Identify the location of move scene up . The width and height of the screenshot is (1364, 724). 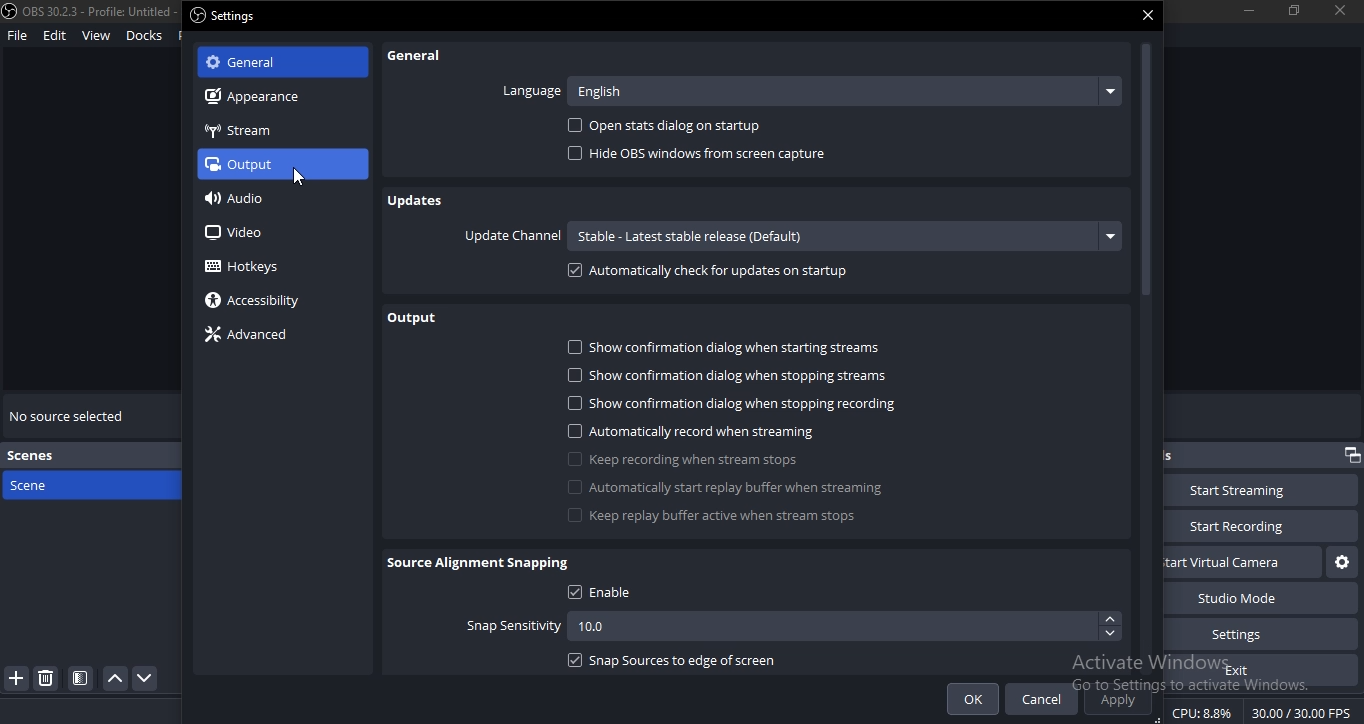
(116, 679).